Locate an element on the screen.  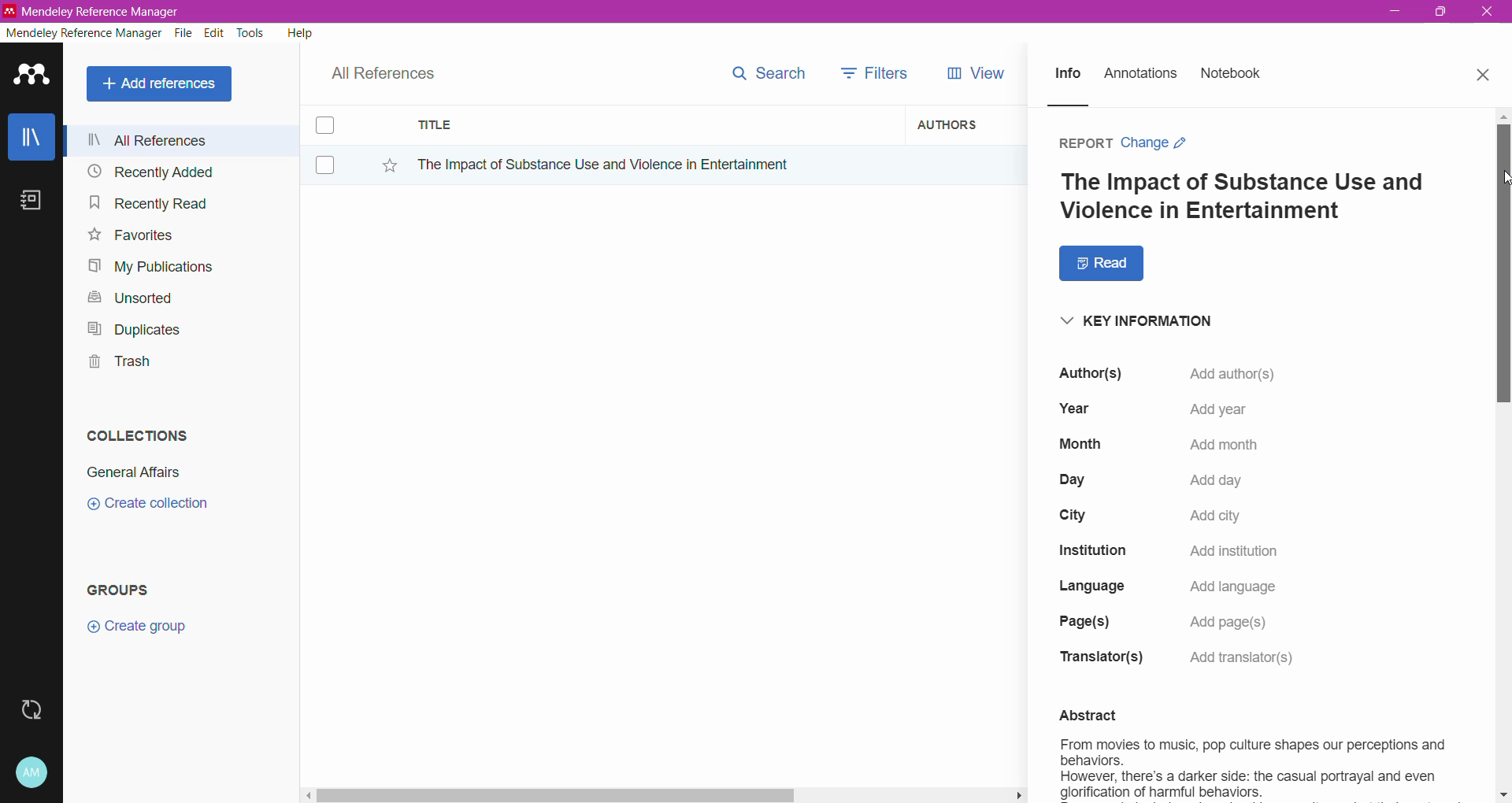
Notes is located at coordinates (35, 202).